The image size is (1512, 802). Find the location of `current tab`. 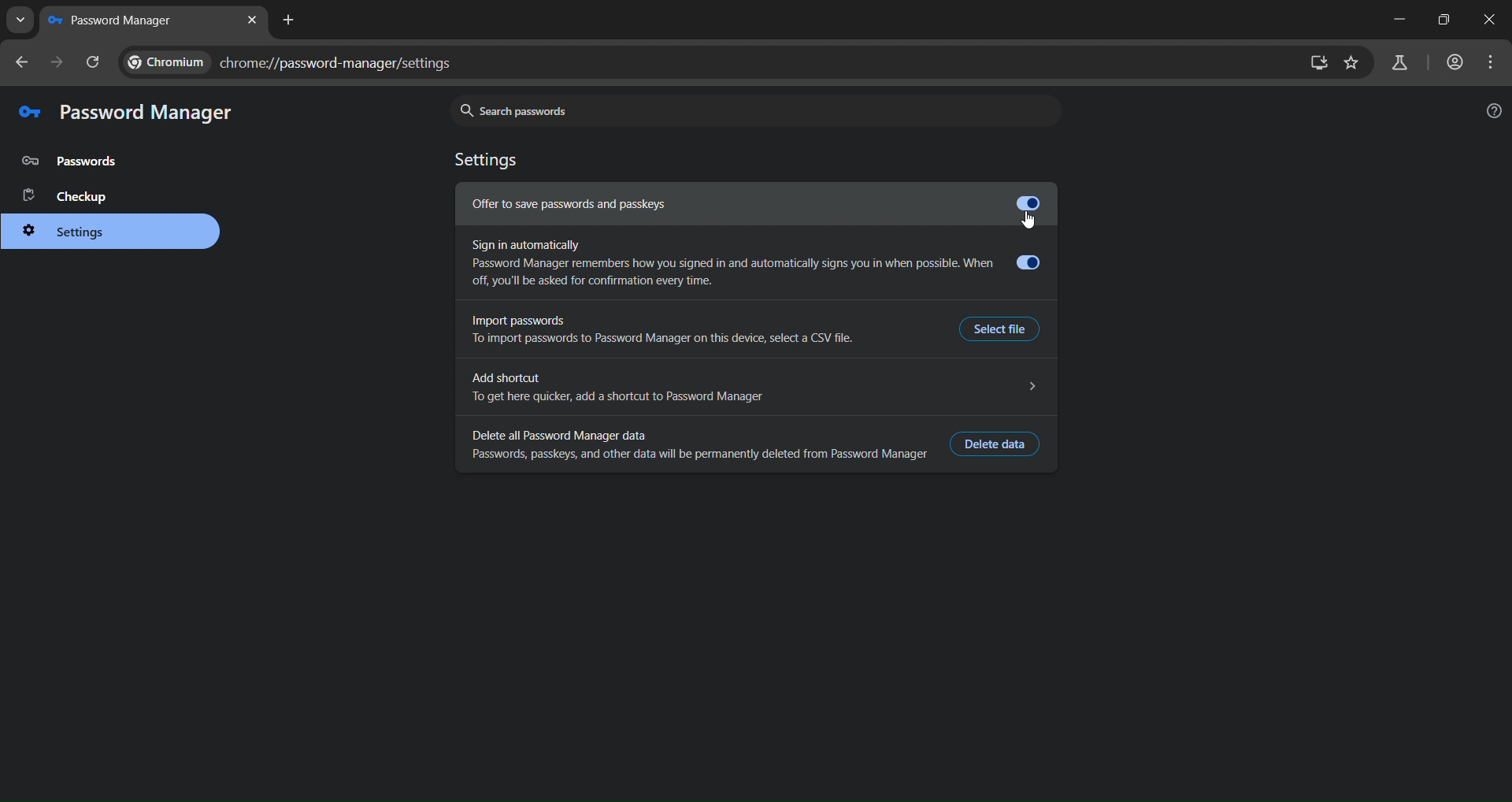

current tab is located at coordinates (130, 22).